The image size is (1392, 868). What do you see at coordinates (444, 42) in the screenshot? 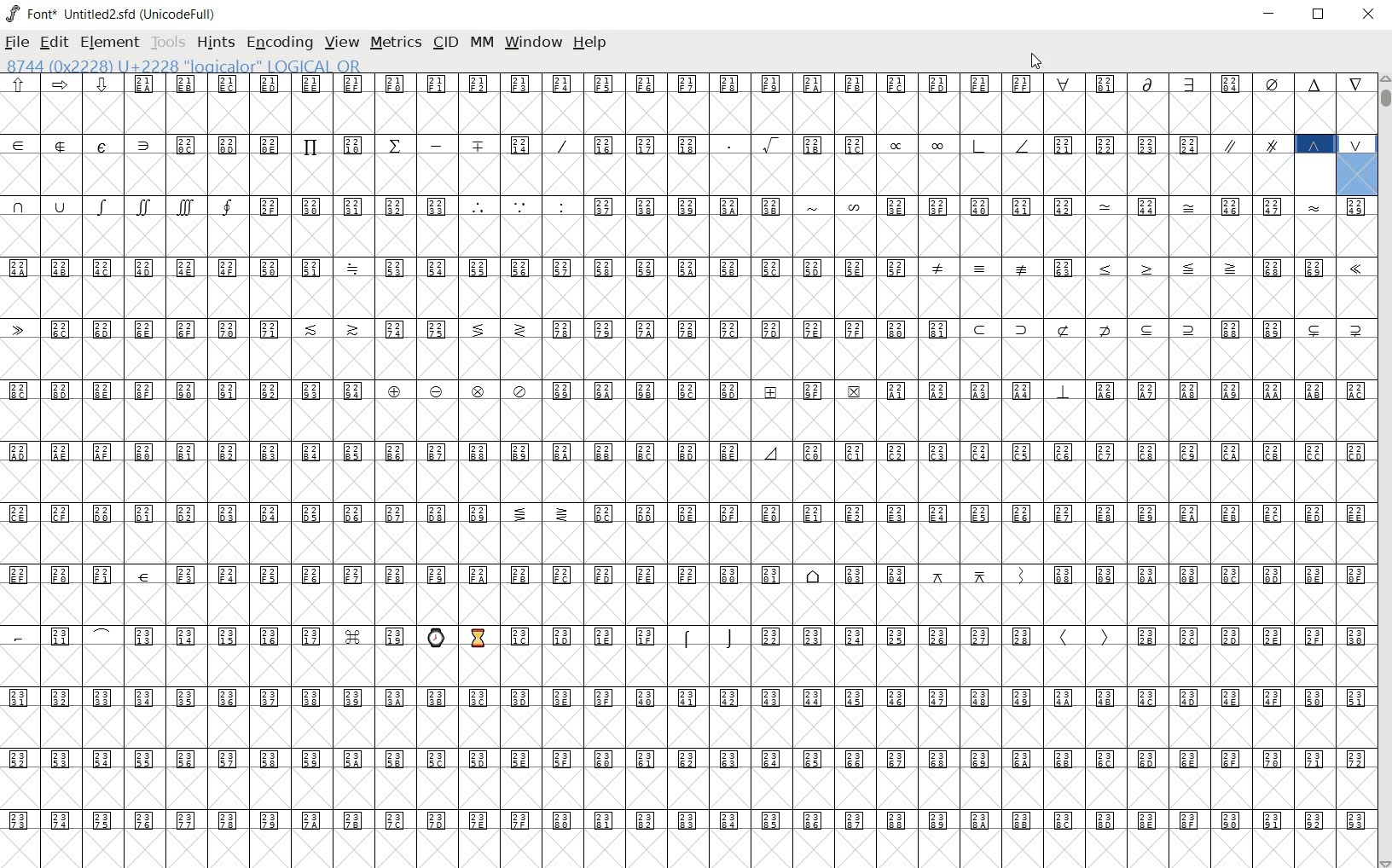
I see `cid` at bounding box center [444, 42].